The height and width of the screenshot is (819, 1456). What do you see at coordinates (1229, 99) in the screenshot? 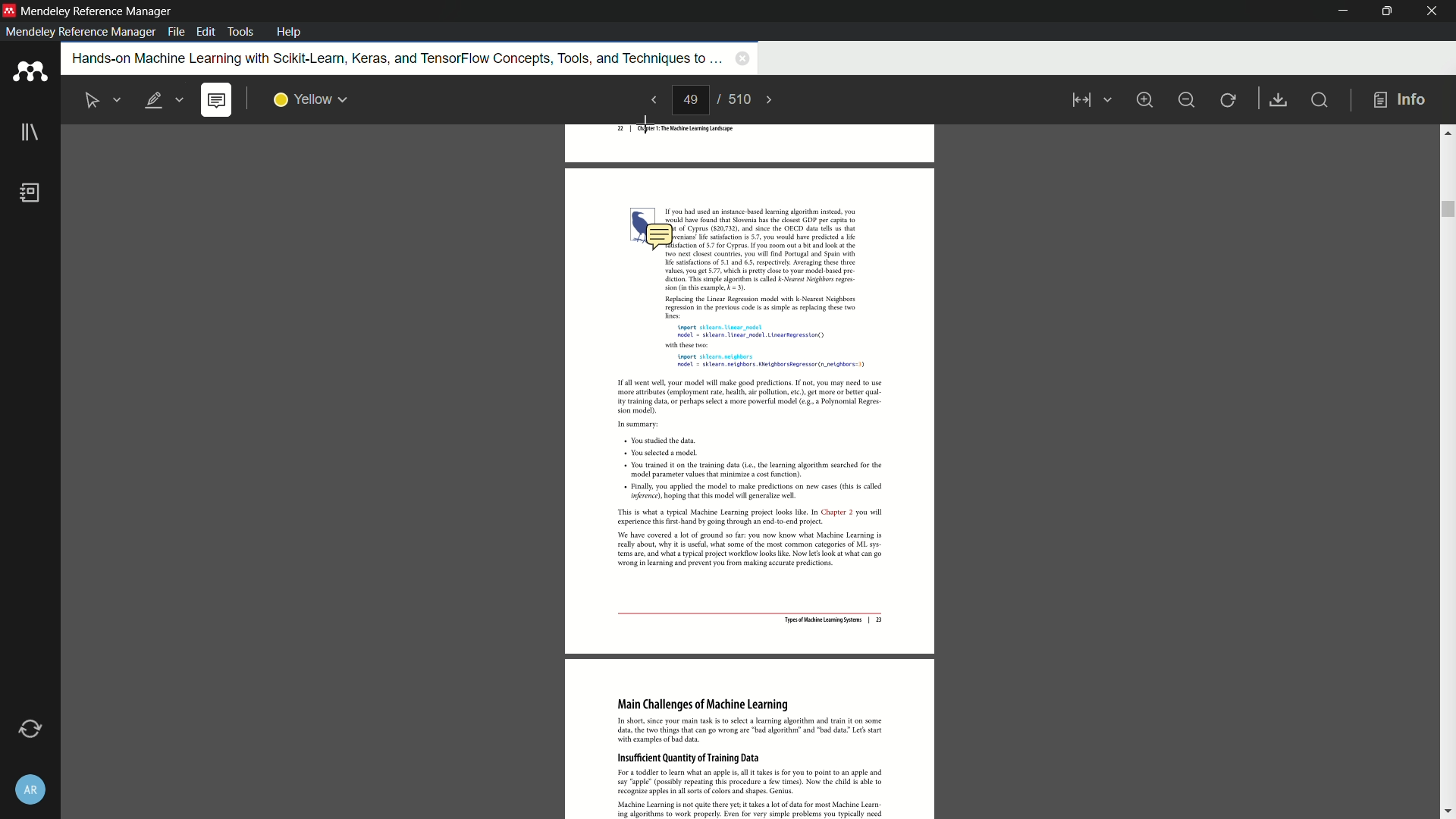
I see `refresh` at bounding box center [1229, 99].